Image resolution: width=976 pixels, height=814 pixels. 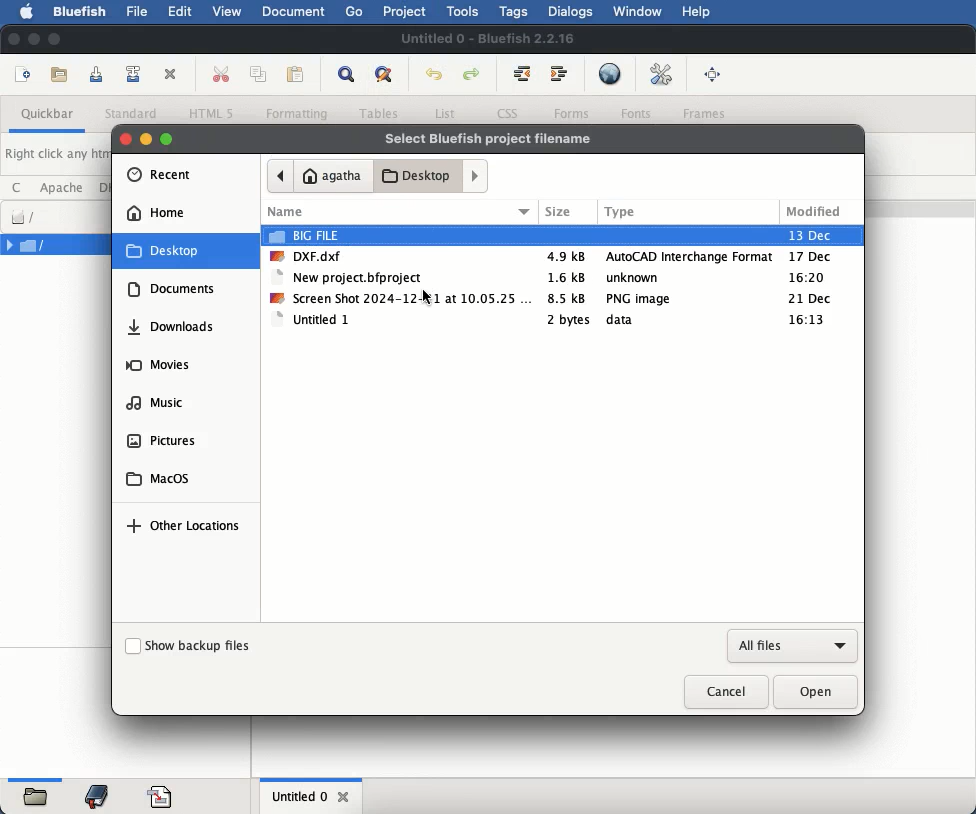 I want to click on document, so click(x=293, y=10).